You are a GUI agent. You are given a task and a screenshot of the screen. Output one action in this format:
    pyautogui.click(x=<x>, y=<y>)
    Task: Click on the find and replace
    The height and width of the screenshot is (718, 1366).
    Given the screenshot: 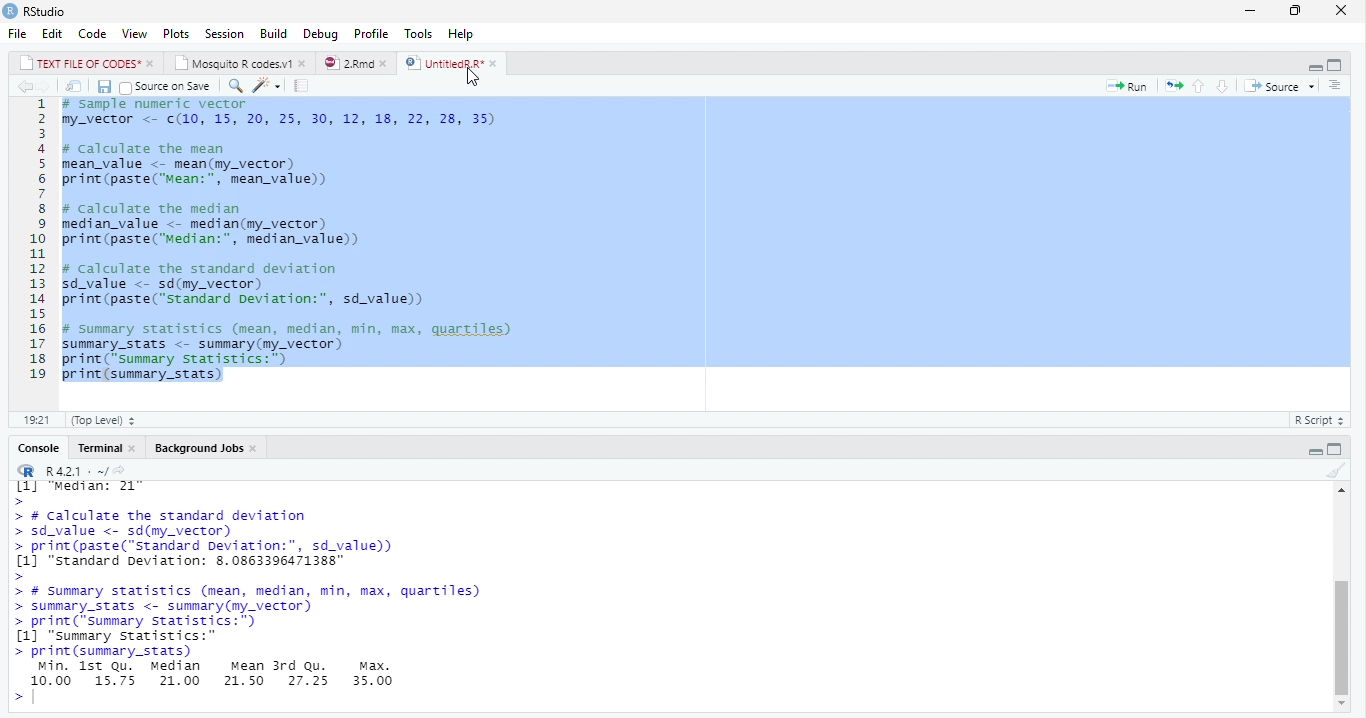 What is the action you would take?
    pyautogui.click(x=238, y=87)
    